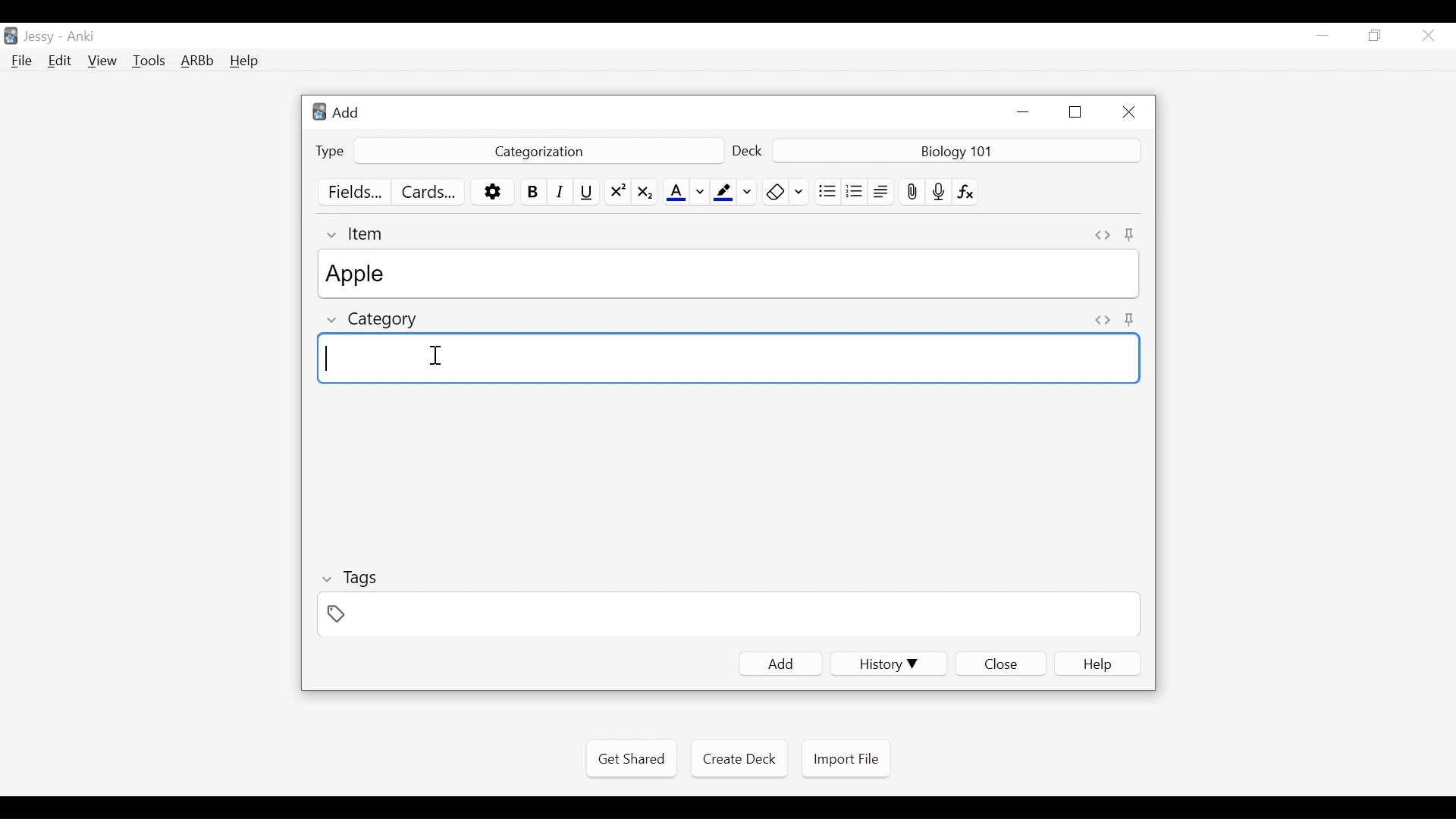  Describe the element at coordinates (1428, 36) in the screenshot. I see `Close` at that location.